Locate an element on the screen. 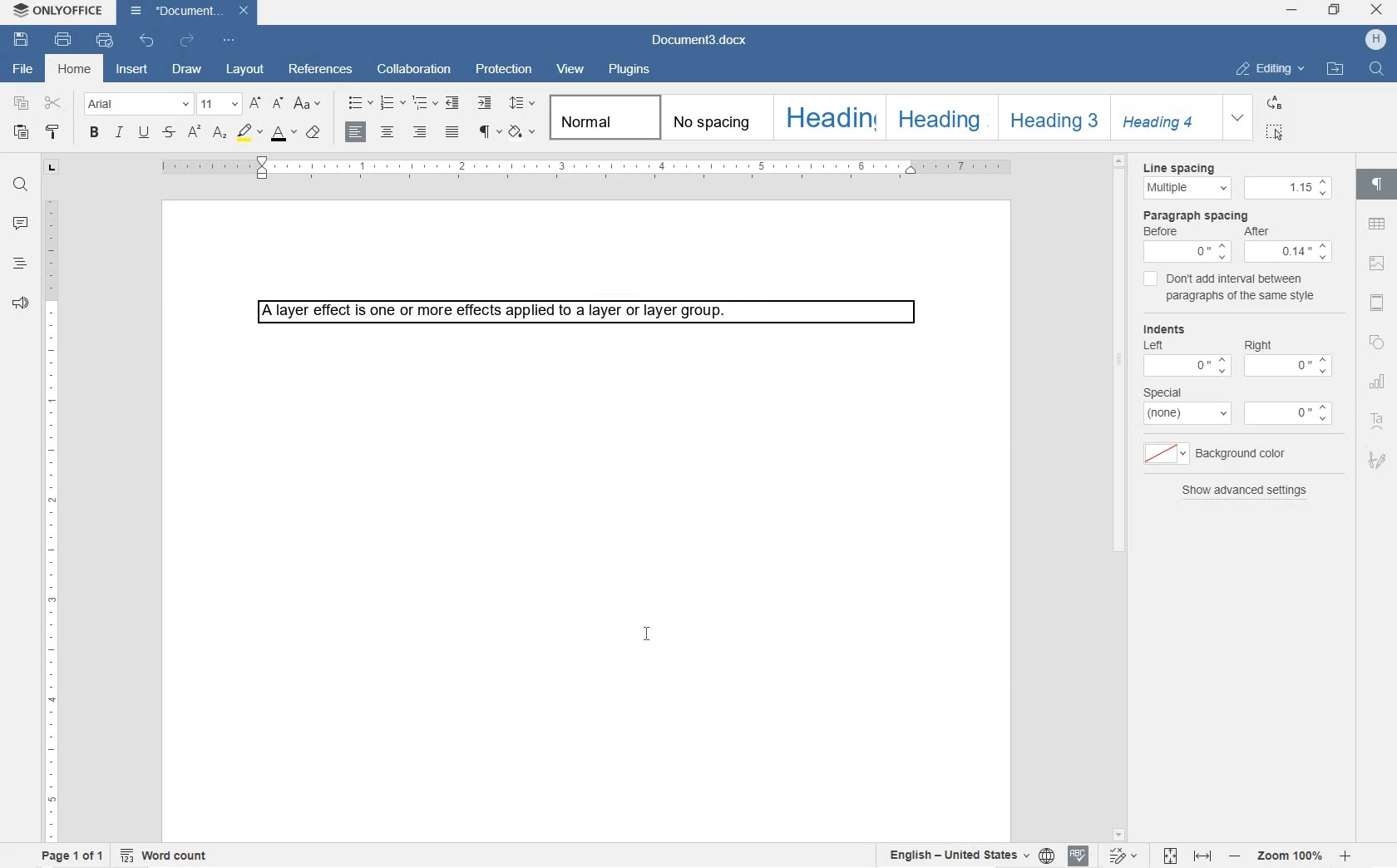 The image size is (1397, 868). TABLE is located at coordinates (1377, 224).